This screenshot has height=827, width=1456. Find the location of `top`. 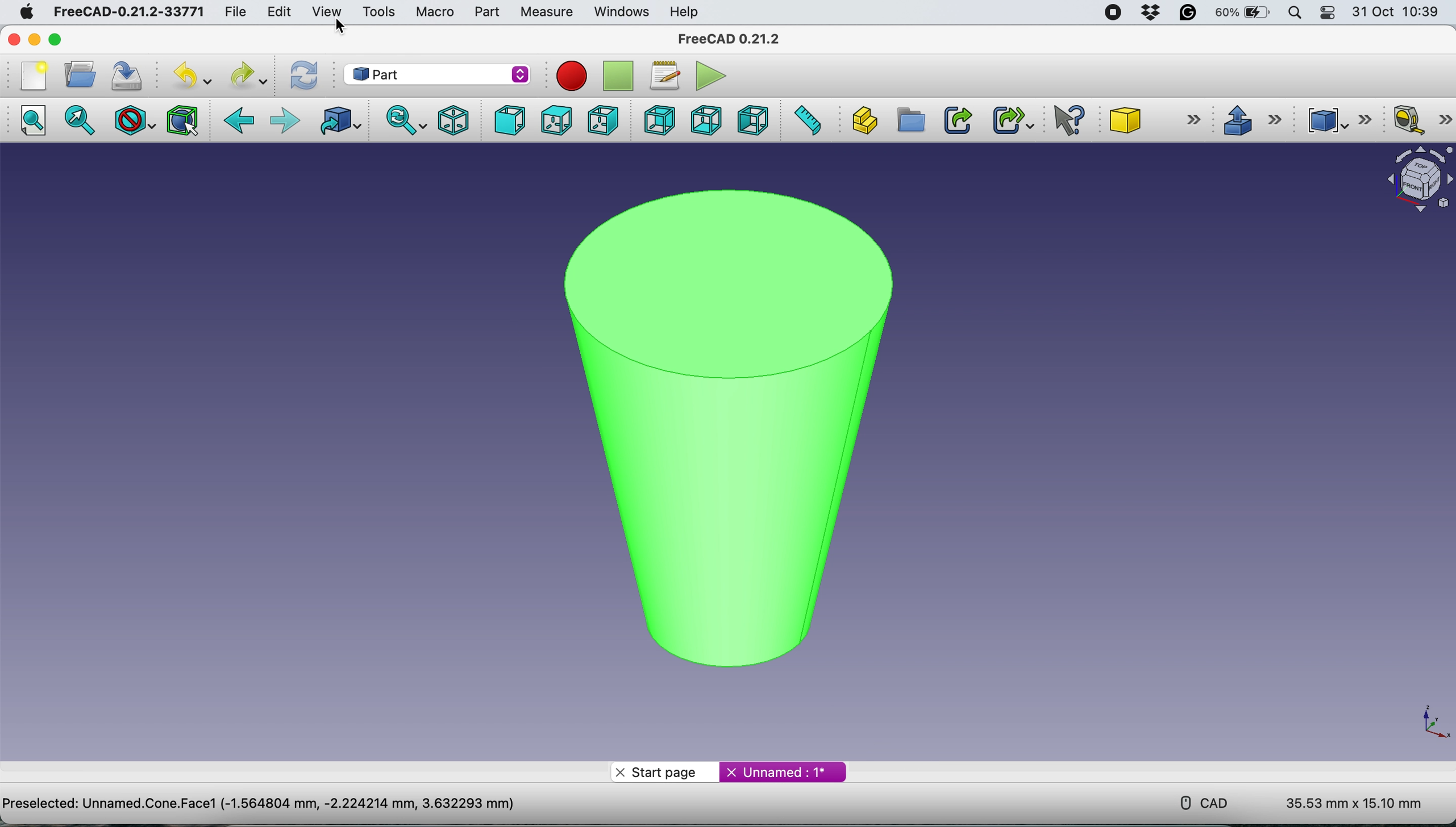

top is located at coordinates (555, 120).